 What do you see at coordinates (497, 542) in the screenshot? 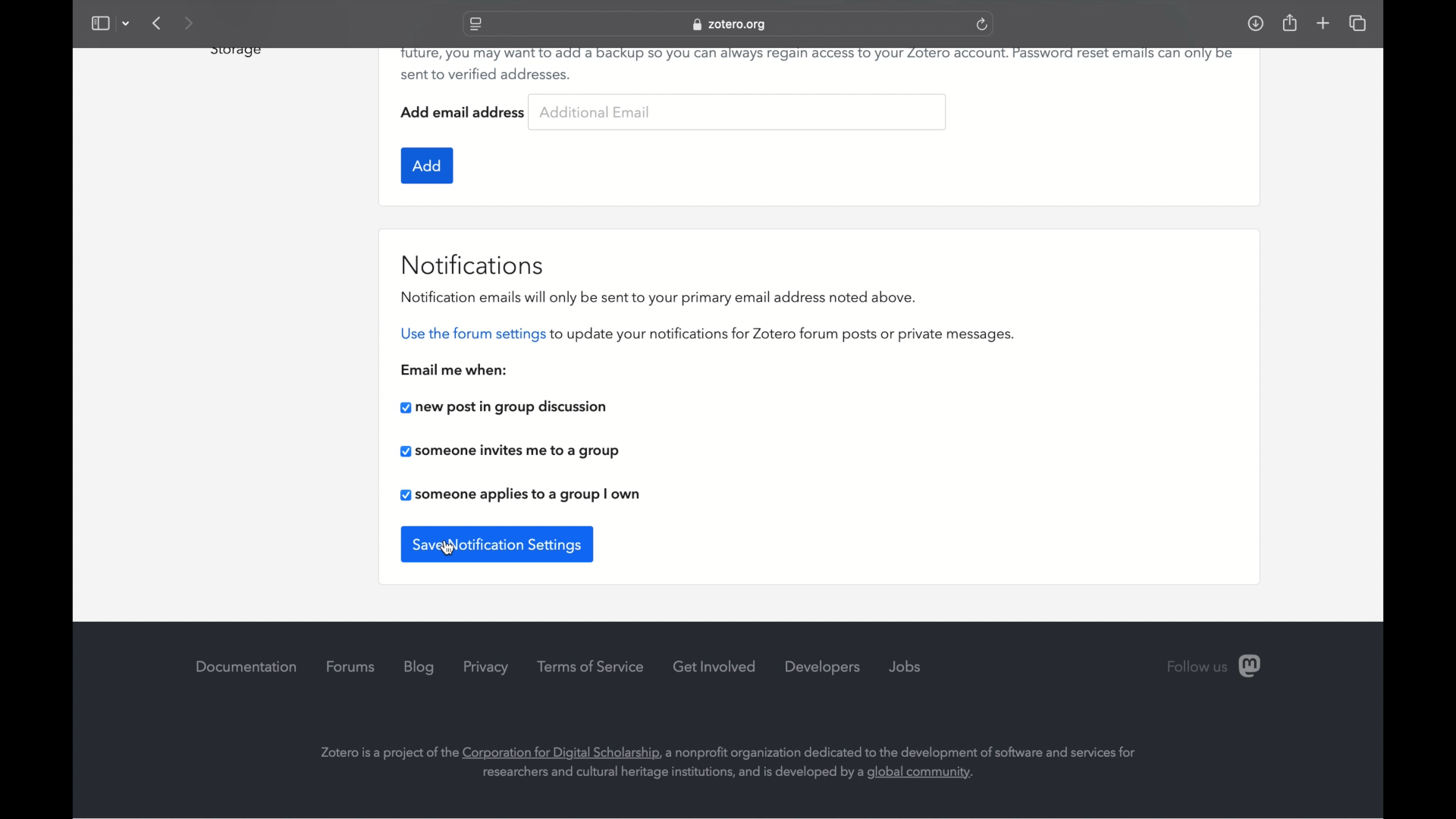
I see `save notification settings` at bounding box center [497, 542].